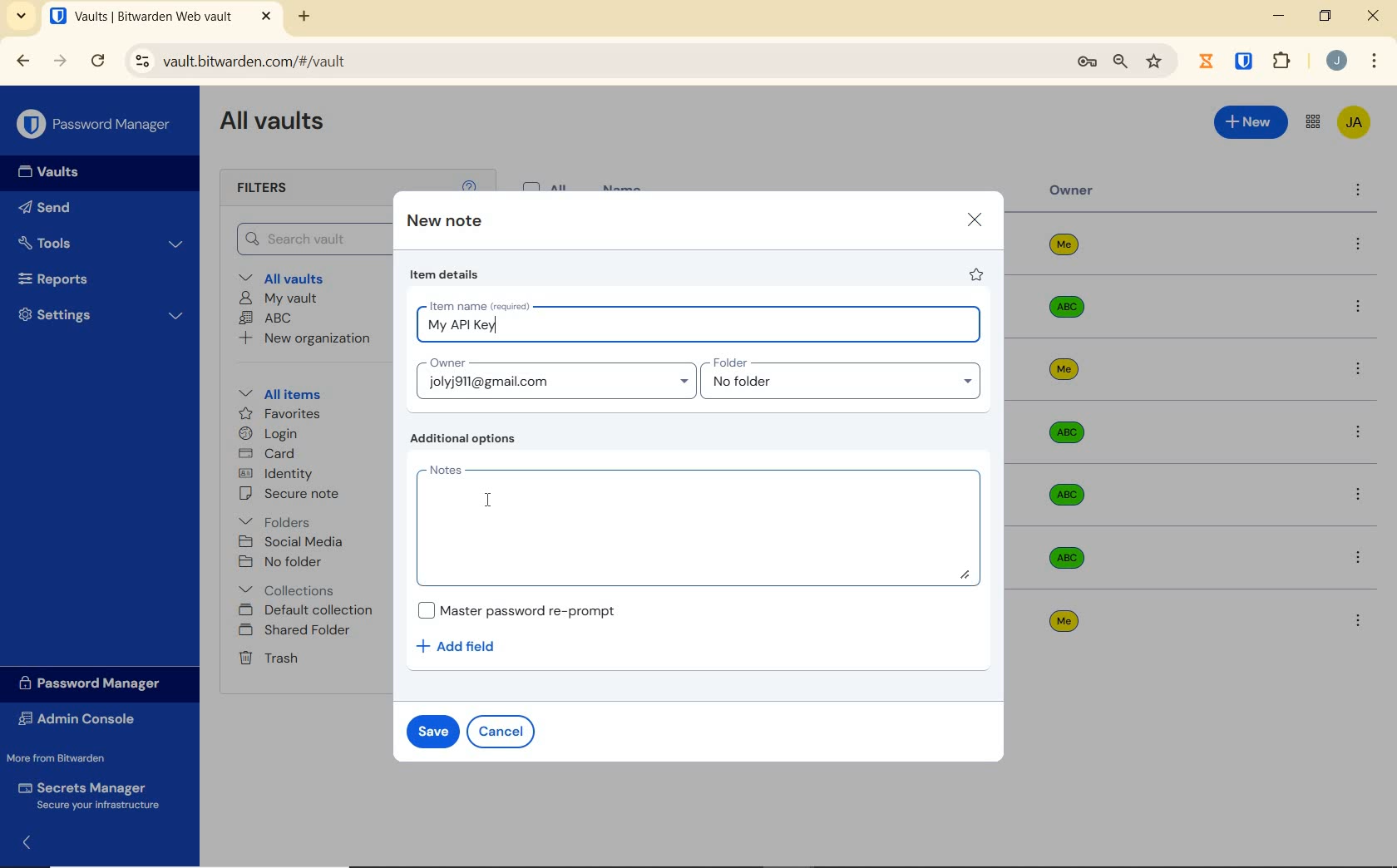 The width and height of the screenshot is (1397, 868). I want to click on Admin Console, so click(82, 719).